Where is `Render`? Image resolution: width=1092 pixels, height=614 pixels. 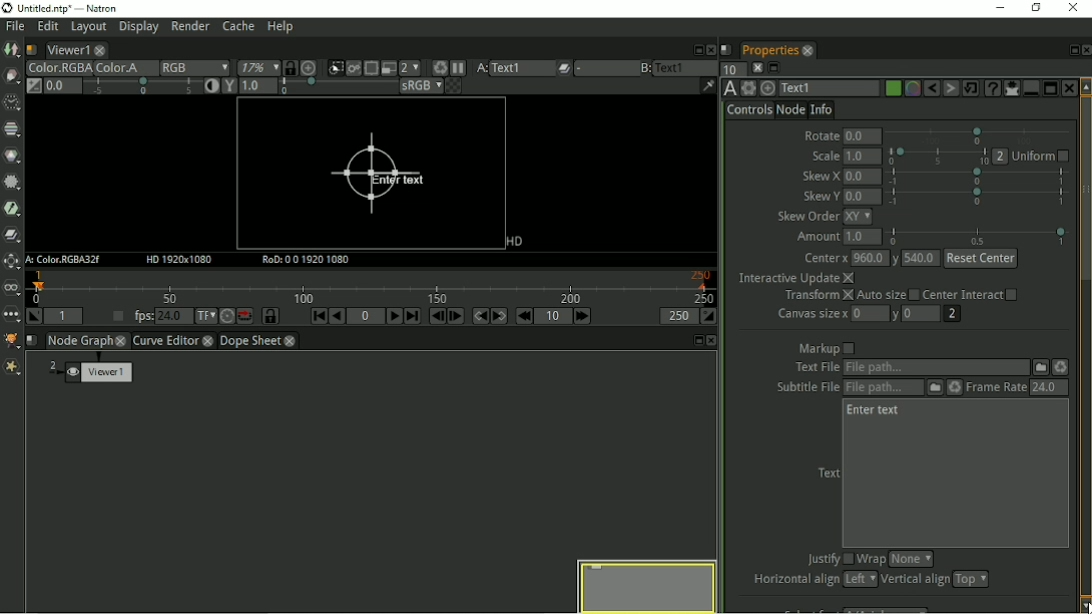 Render is located at coordinates (191, 28).